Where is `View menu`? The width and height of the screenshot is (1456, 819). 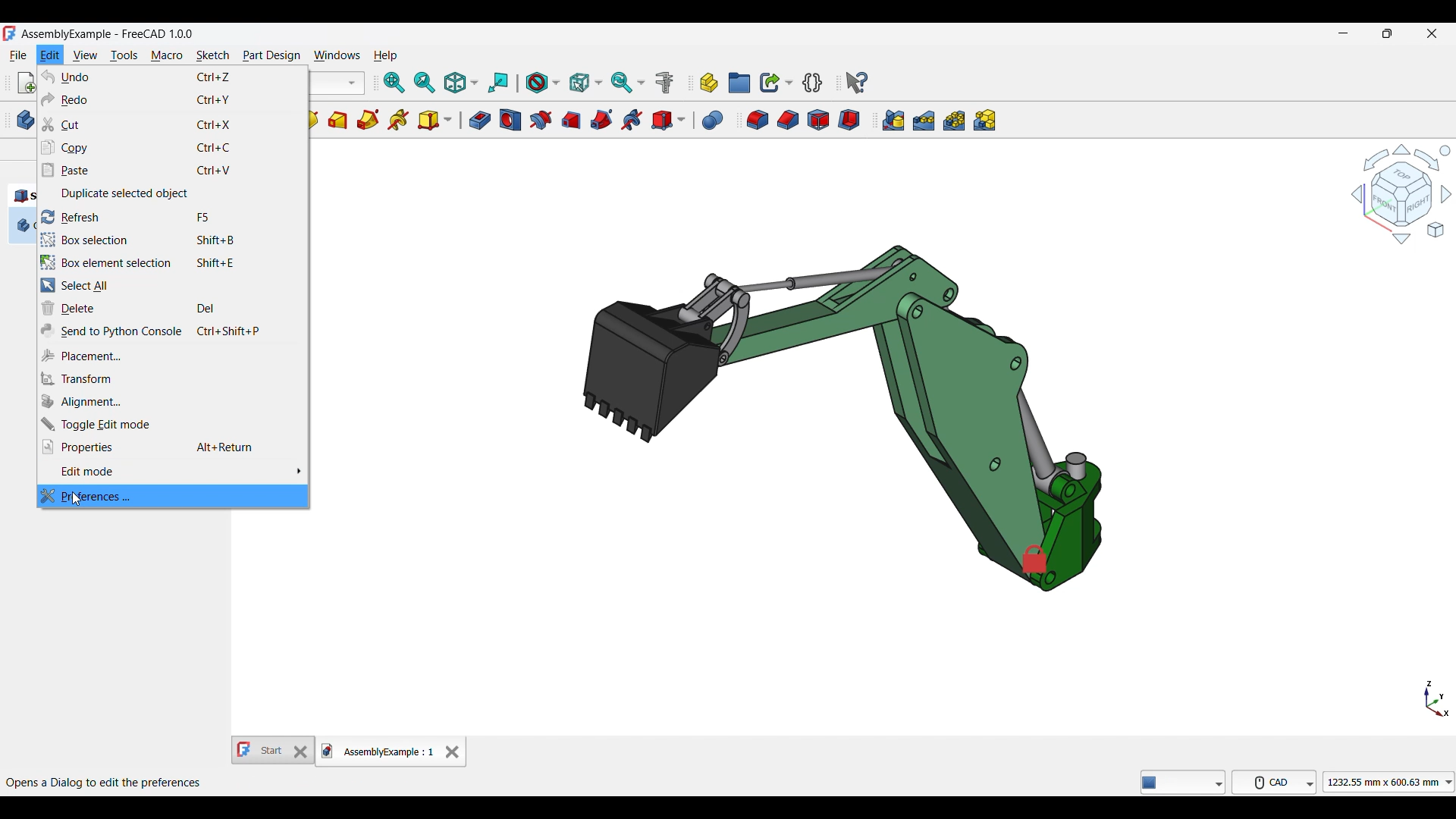 View menu is located at coordinates (85, 55).